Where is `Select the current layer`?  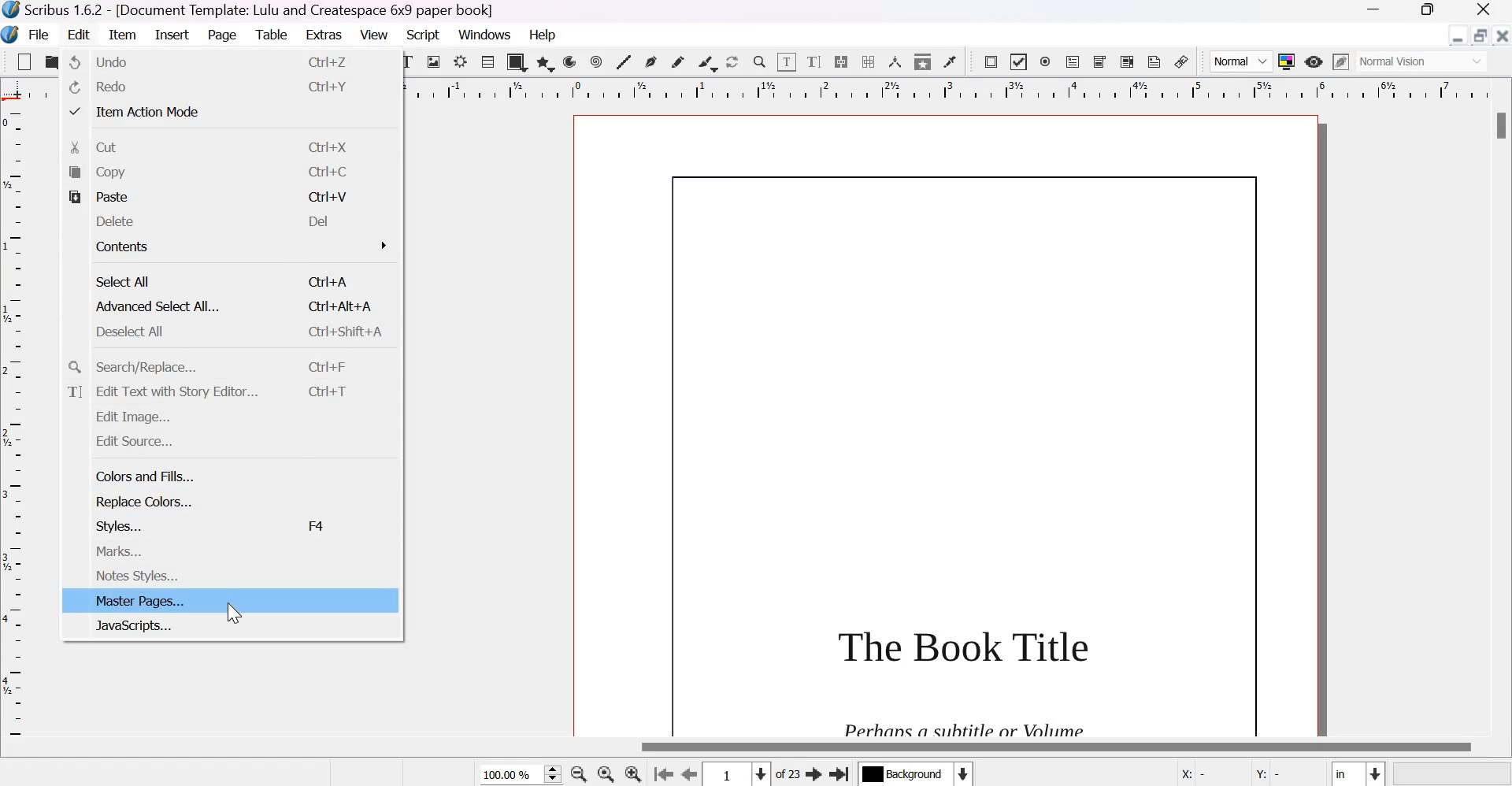
Select the current layer is located at coordinates (916, 773).